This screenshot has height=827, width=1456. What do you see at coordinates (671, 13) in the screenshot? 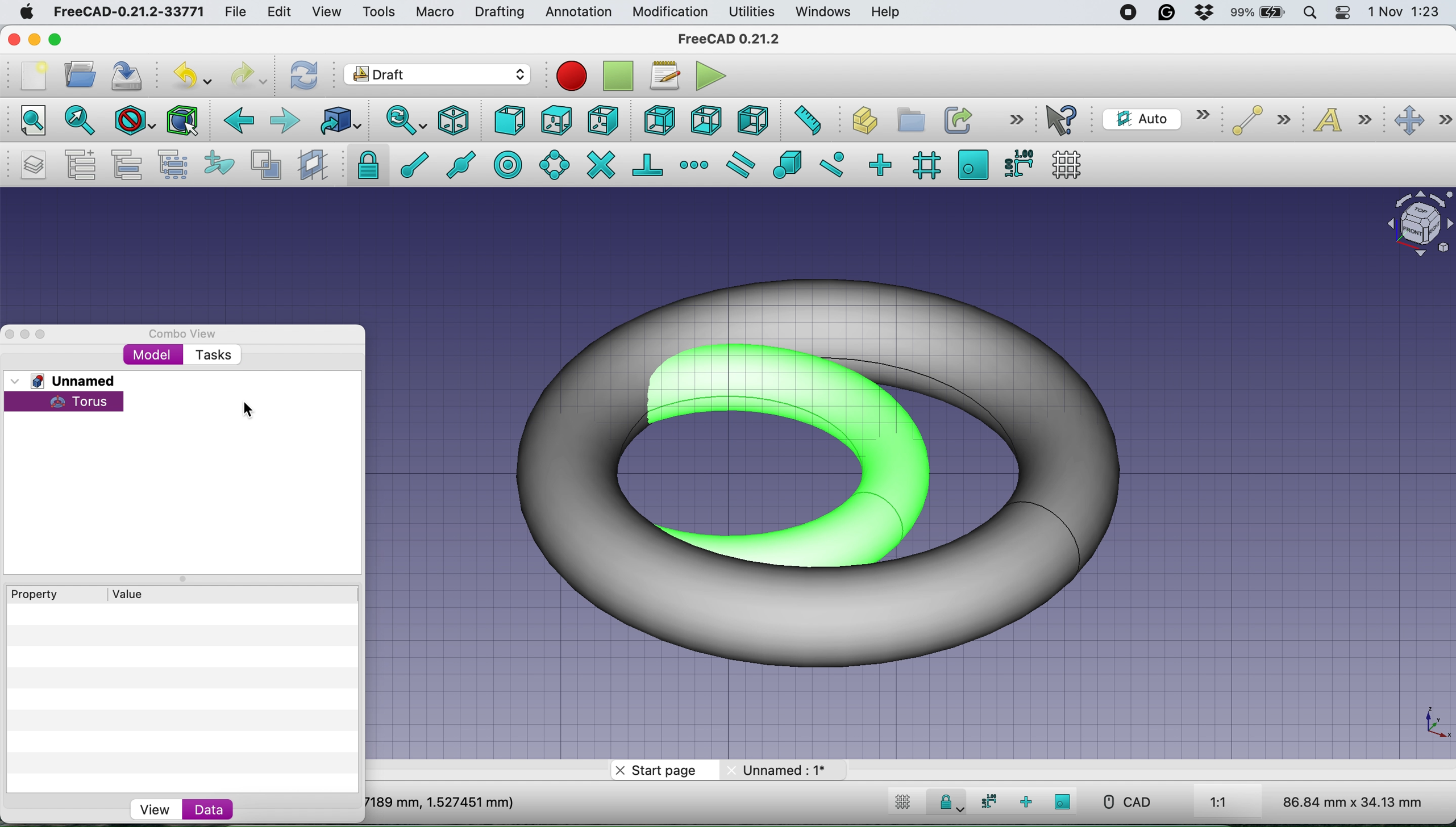
I see `modification` at bounding box center [671, 13].